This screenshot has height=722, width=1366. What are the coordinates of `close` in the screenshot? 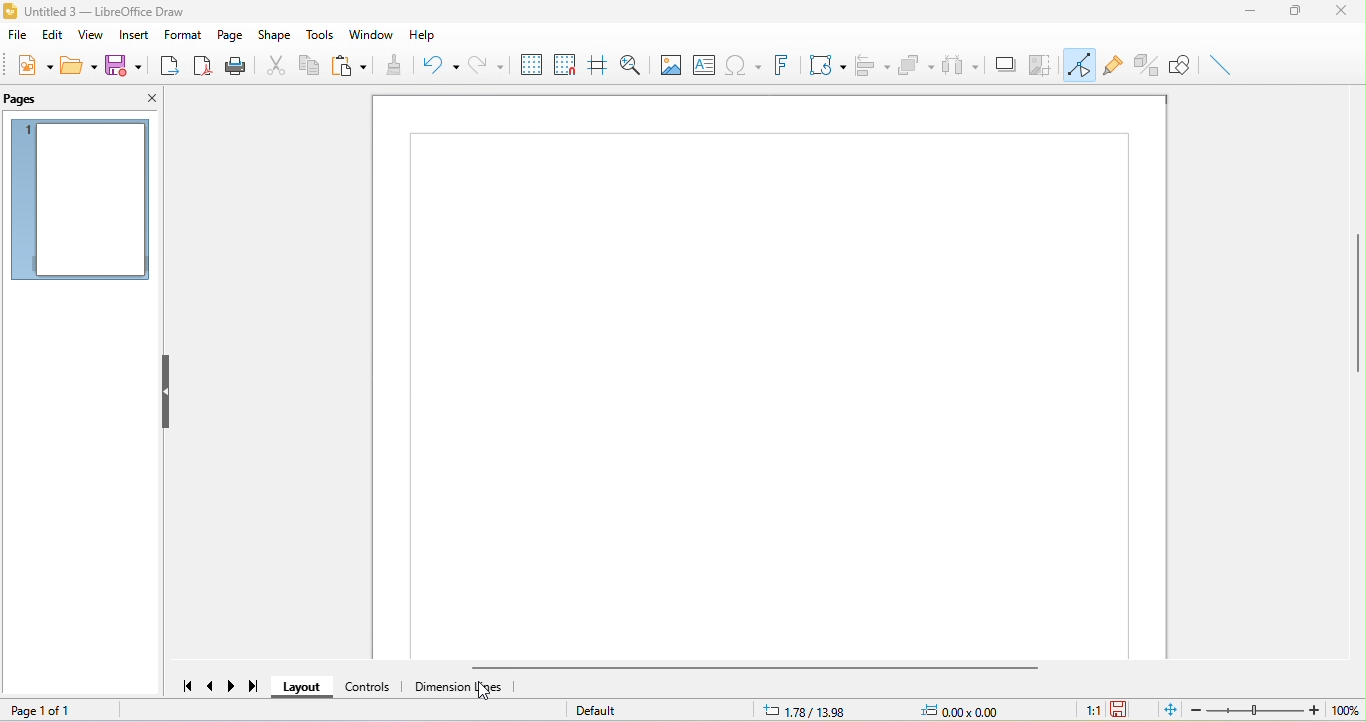 It's located at (146, 100).